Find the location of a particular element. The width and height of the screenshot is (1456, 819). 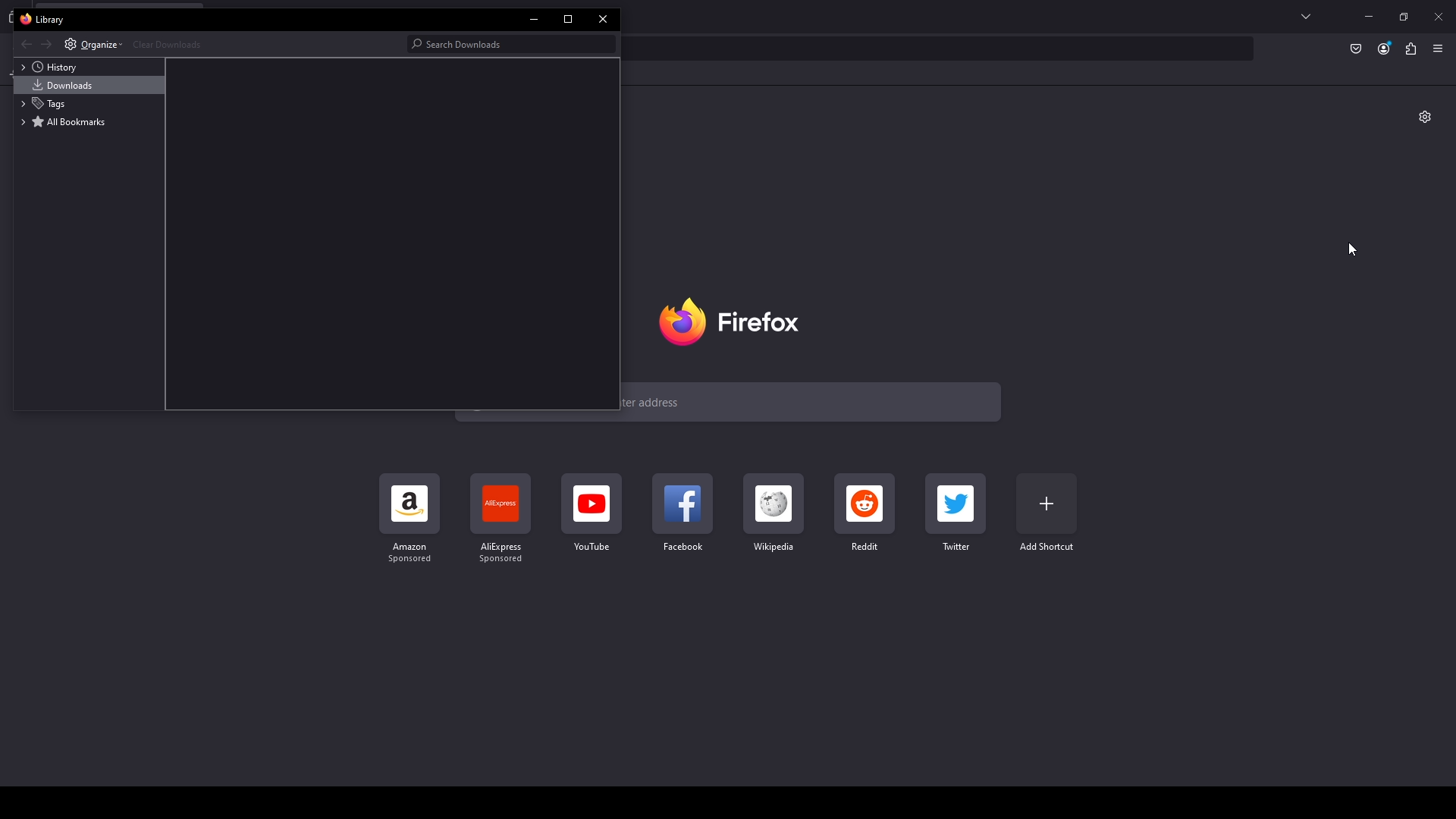

Downloads search is located at coordinates (507, 43).